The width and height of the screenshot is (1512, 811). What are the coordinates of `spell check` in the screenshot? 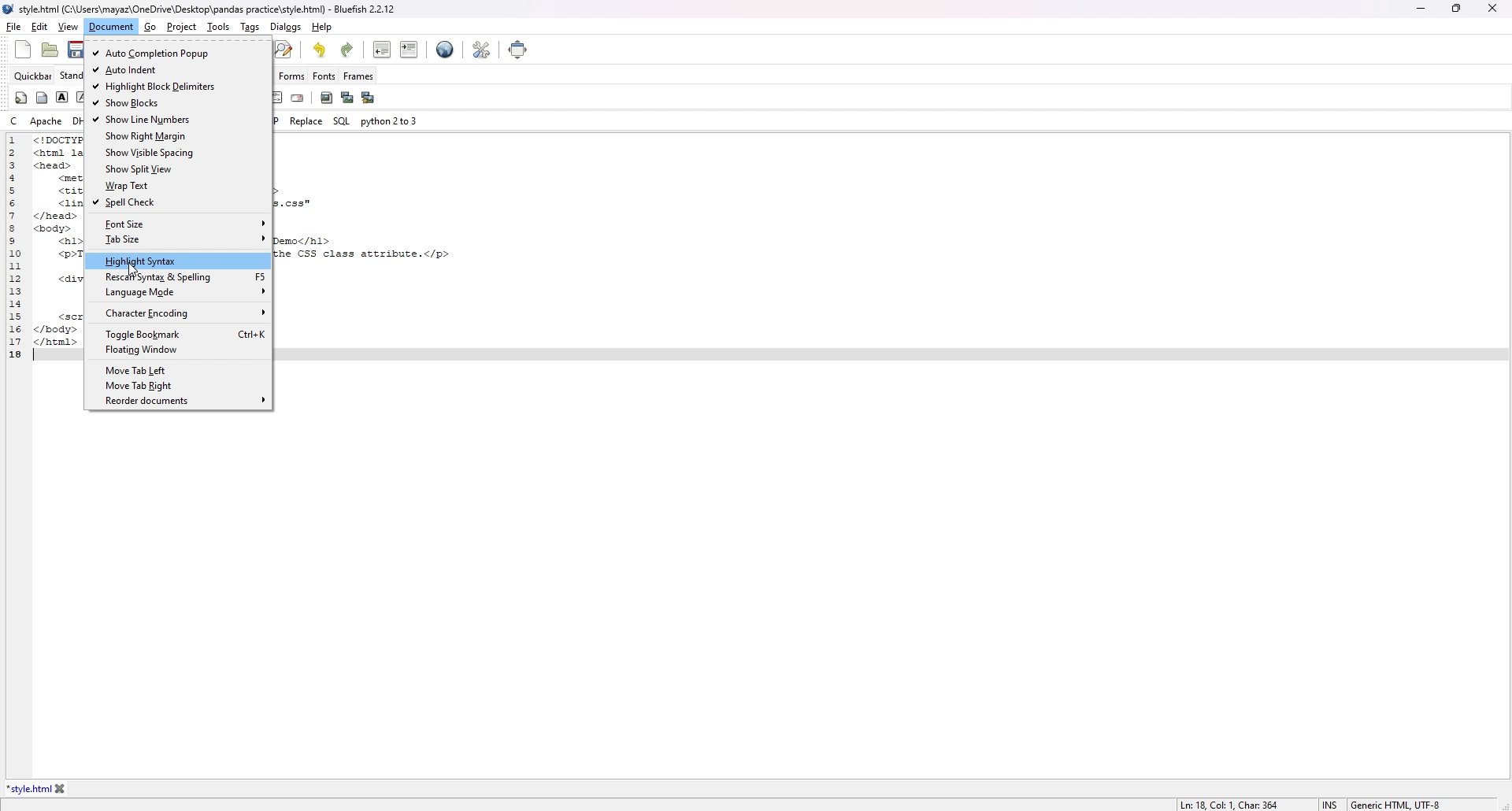 It's located at (177, 203).